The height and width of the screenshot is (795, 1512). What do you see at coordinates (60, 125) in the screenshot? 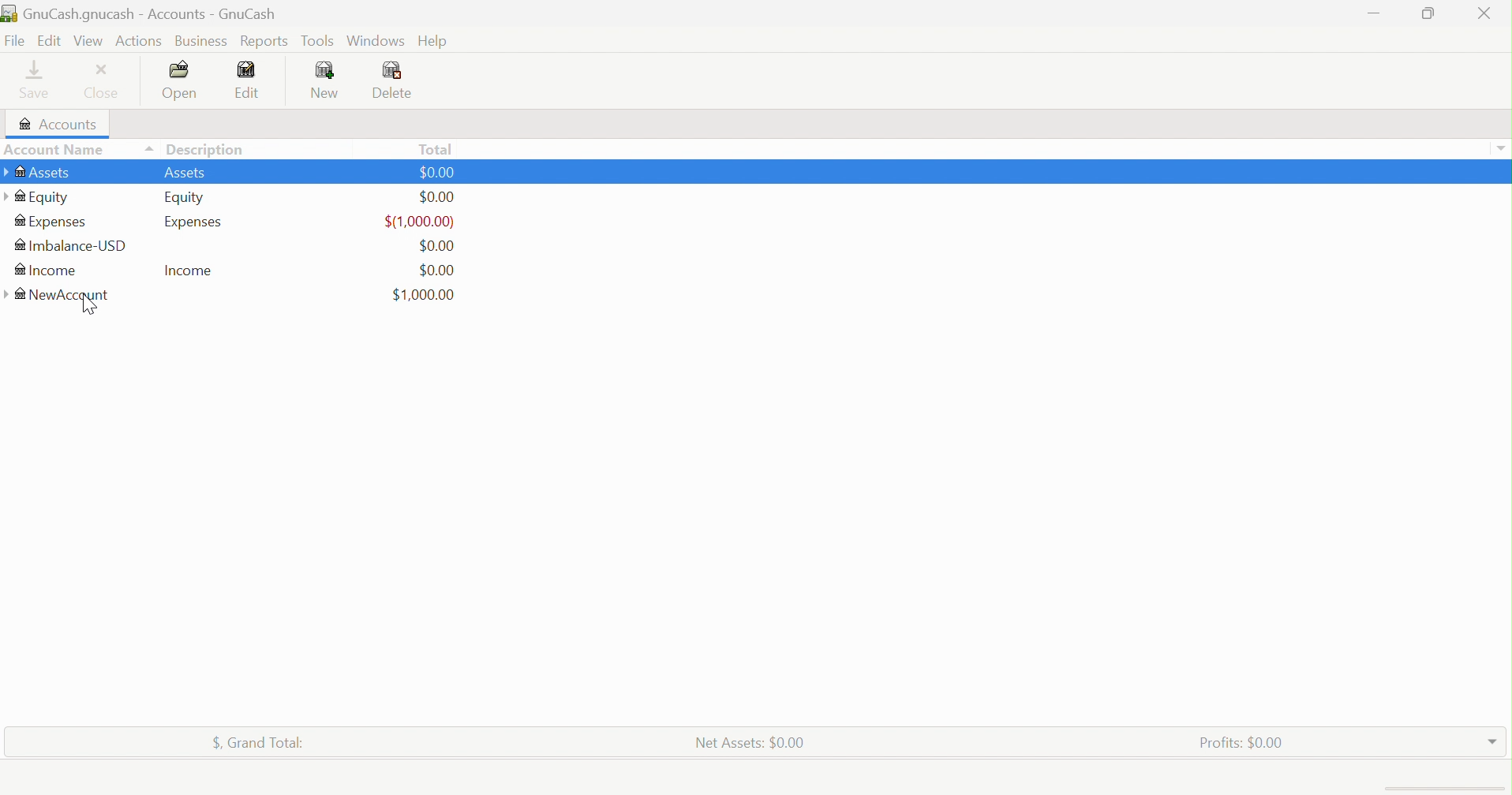
I see `Accounts` at bounding box center [60, 125].